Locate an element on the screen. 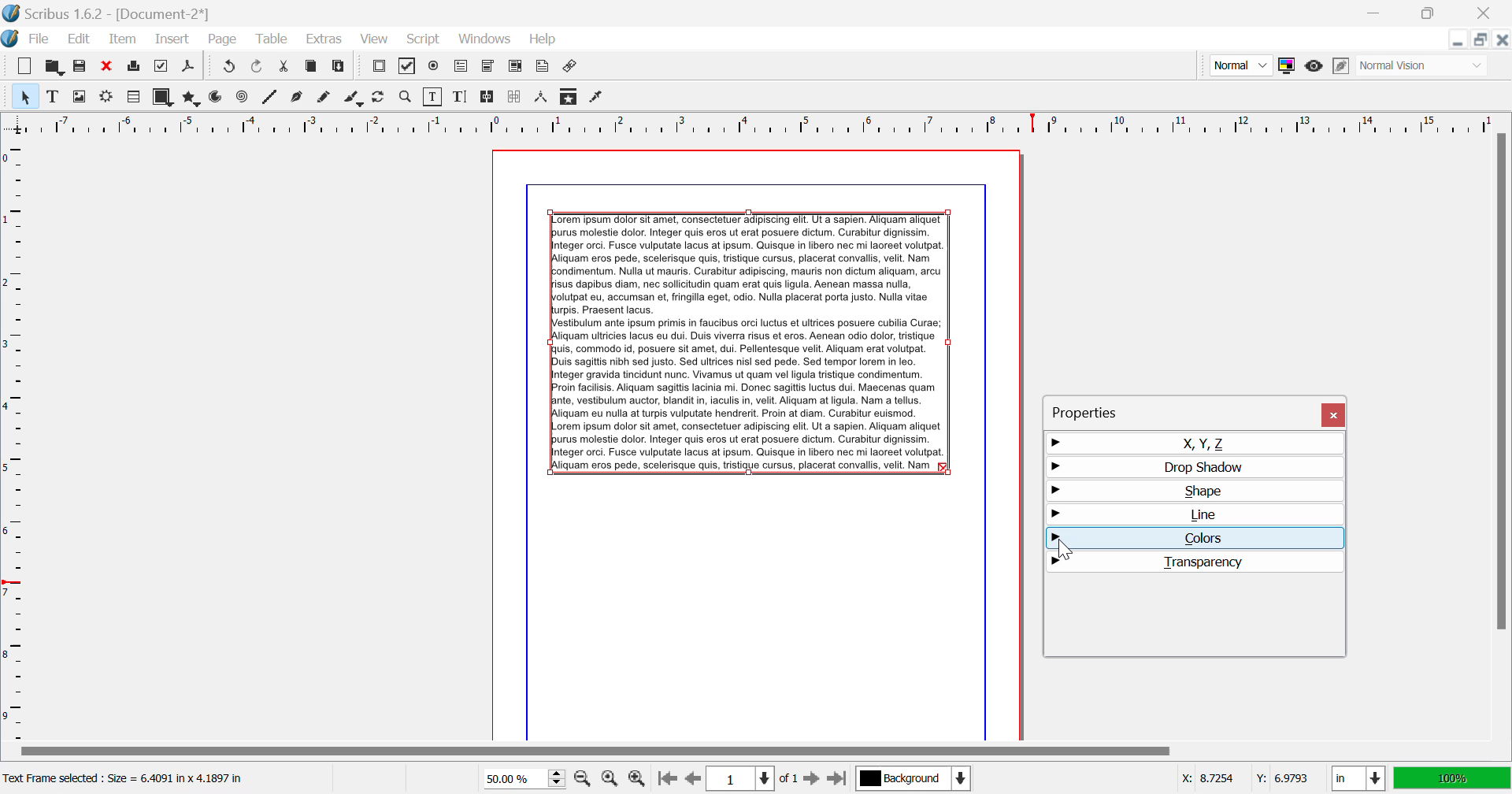 The height and width of the screenshot is (794, 1512). New is located at coordinates (25, 66).